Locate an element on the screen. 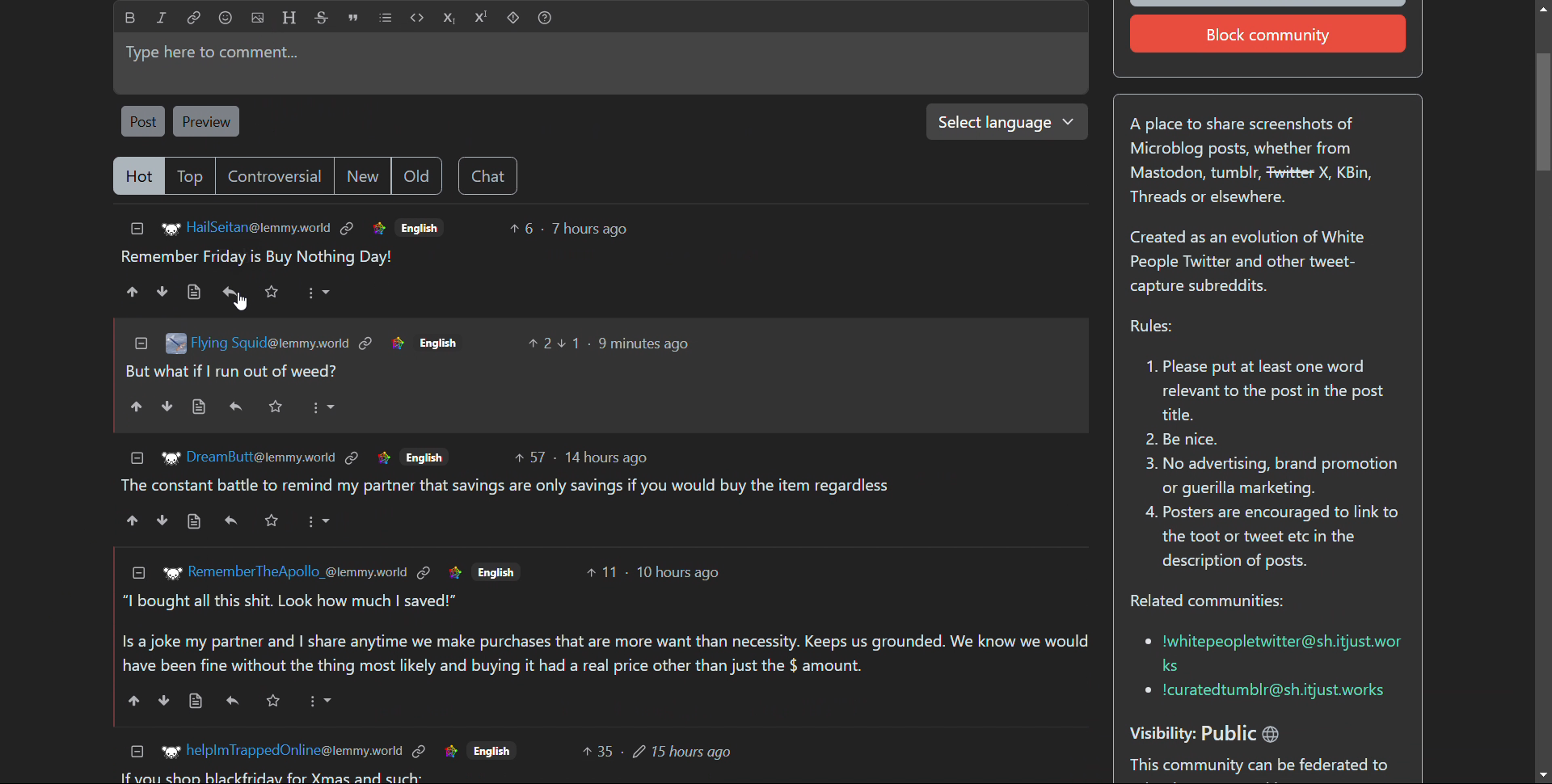 The height and width of the screenshot is (784, 1552). This community can be federated to is located at coordinates (1264, 767).